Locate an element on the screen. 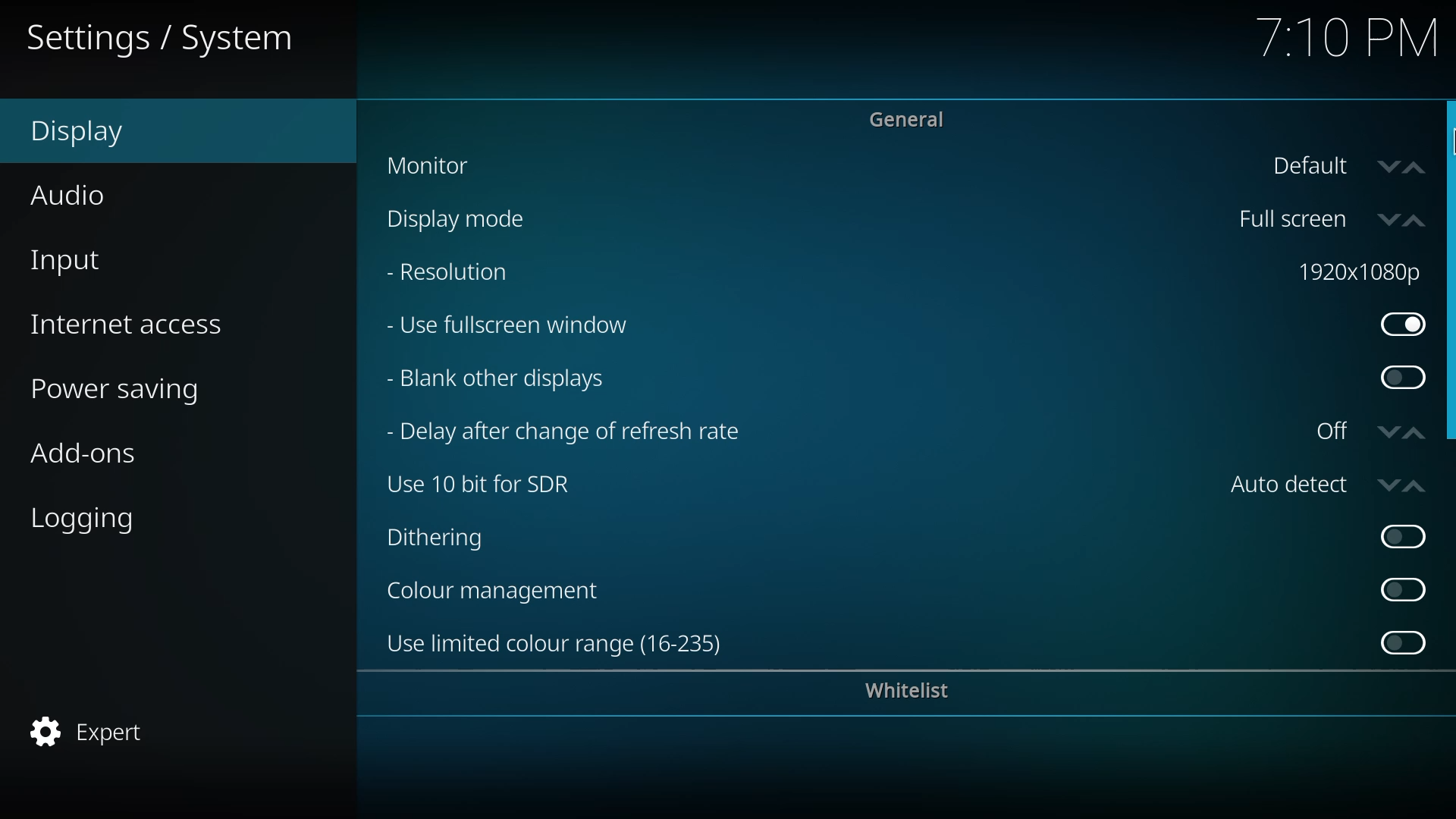  display mode is located at coordinates (458, 219).